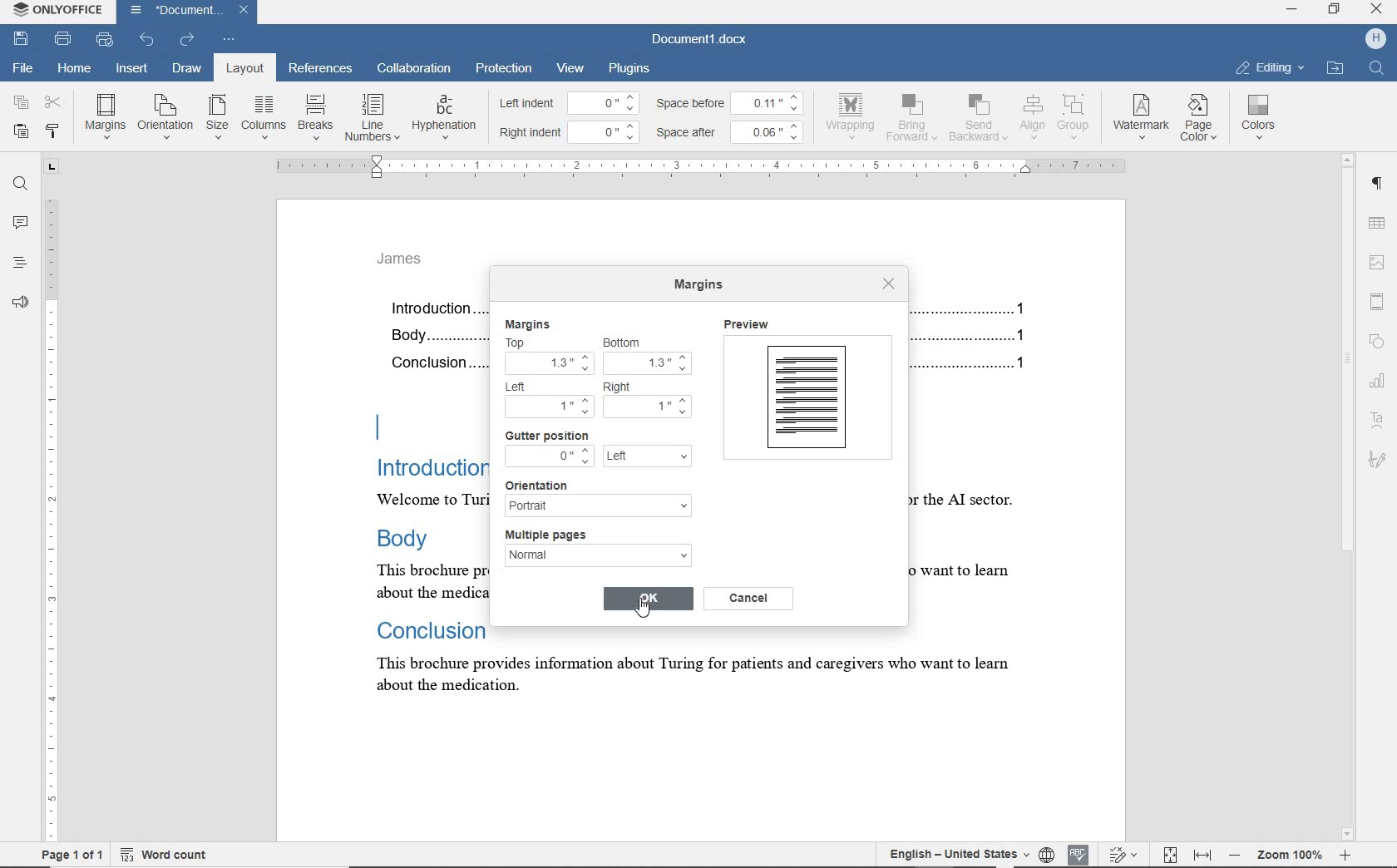  Describe the element at coordinates (649, 362) in the screenshot. I see `increased top margin by 3` at that location.